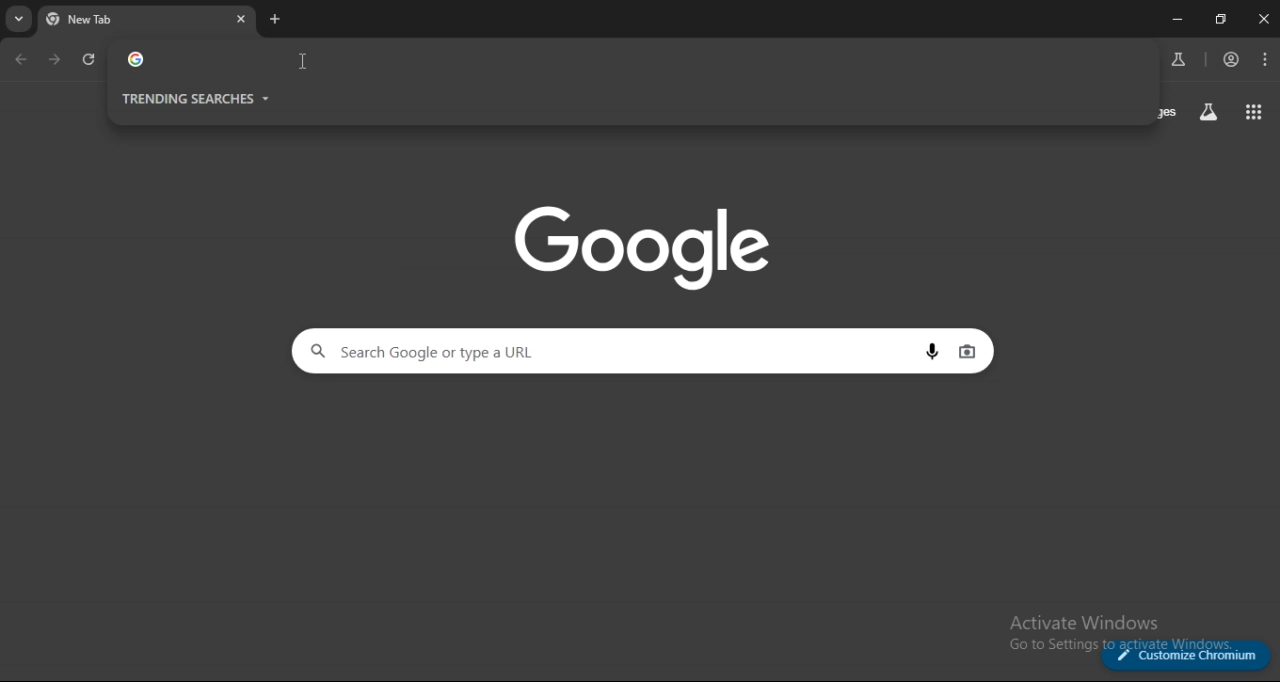 This screenshot has height=682, width=1280. Describe the element at coordinates (20, 19) in the screenshot. I see `search tabs` at that location.